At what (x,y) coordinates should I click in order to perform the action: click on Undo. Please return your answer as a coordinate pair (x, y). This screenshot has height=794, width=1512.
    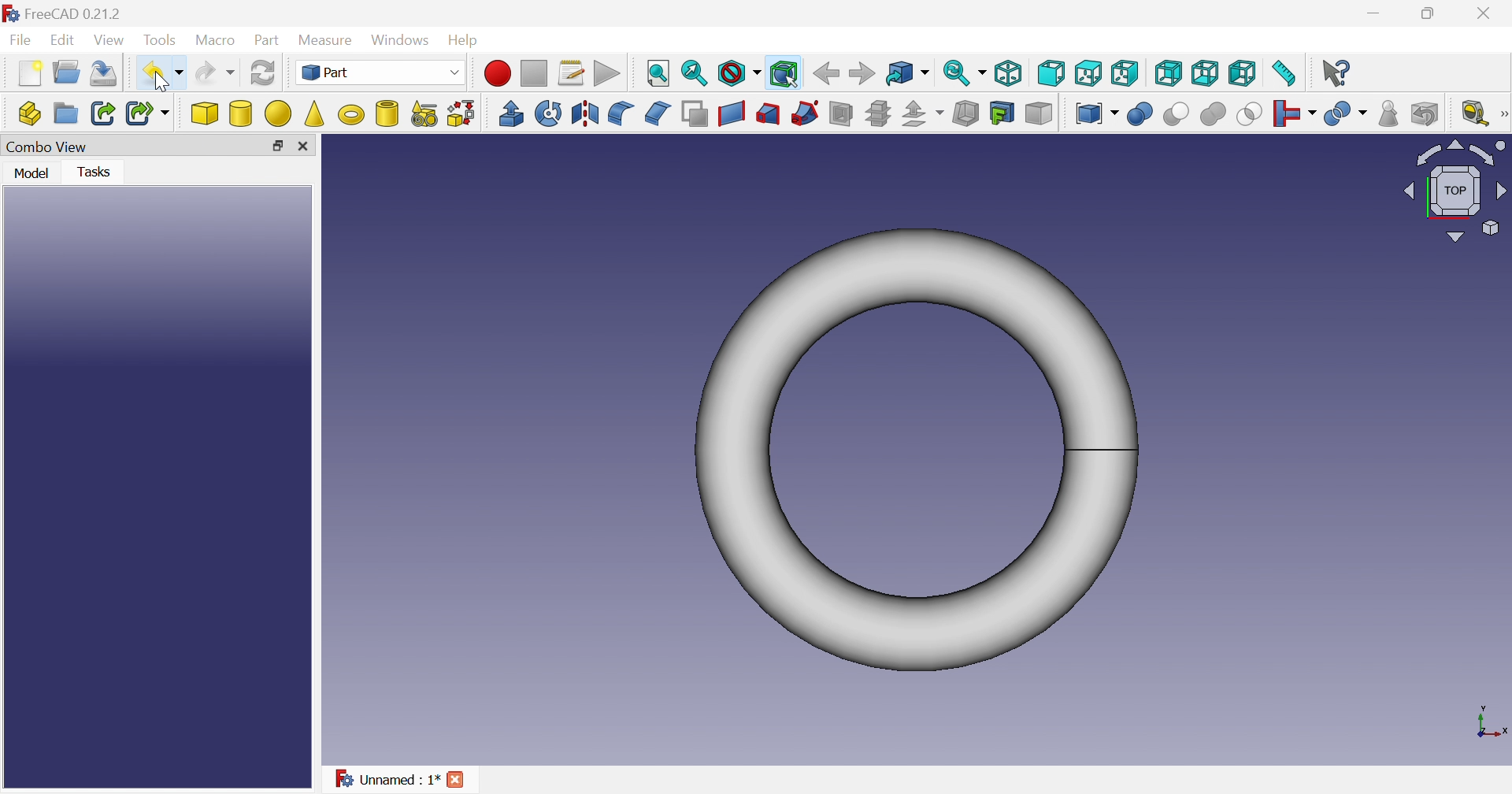
    Looking at the image, I should click on (163, 74).